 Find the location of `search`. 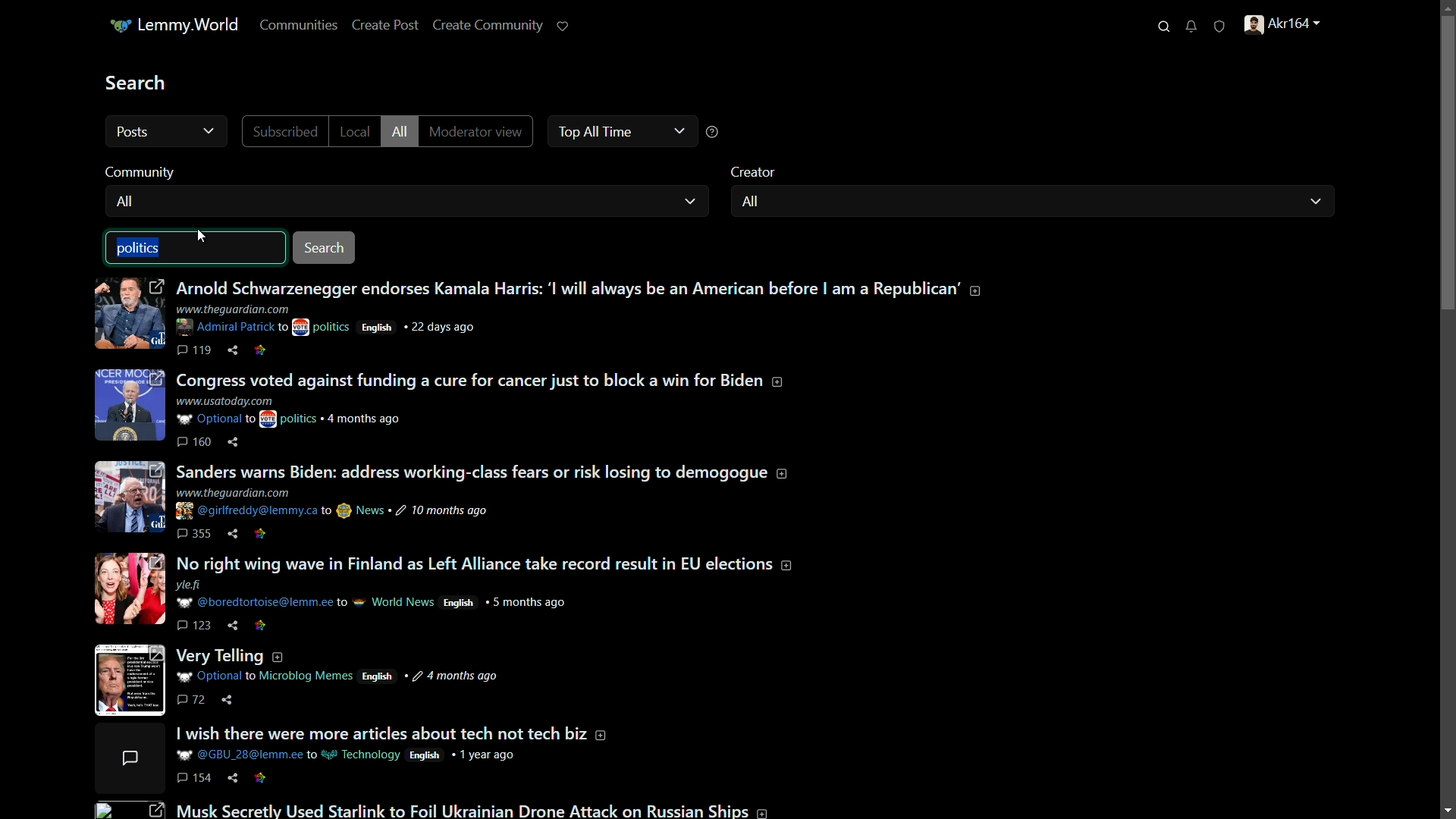

search is located at coordinates (327, 247).